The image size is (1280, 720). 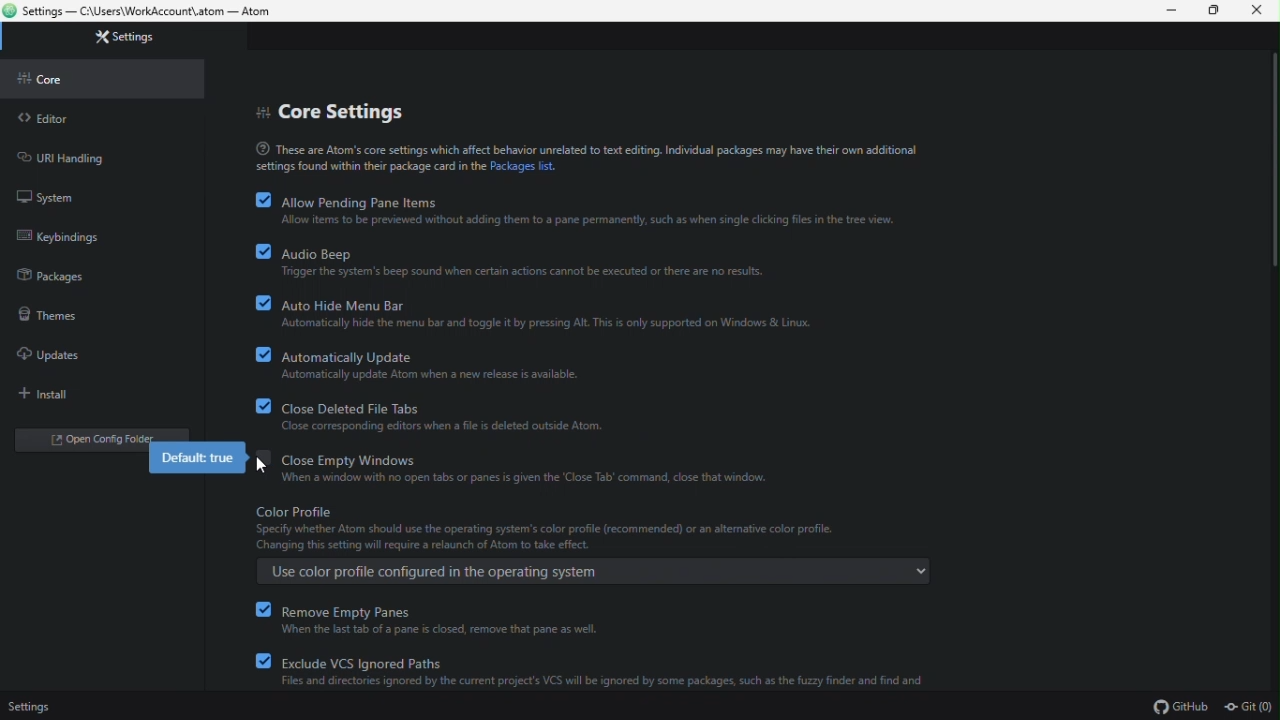 I want to click on mininize, so click(x=1173, y=10).